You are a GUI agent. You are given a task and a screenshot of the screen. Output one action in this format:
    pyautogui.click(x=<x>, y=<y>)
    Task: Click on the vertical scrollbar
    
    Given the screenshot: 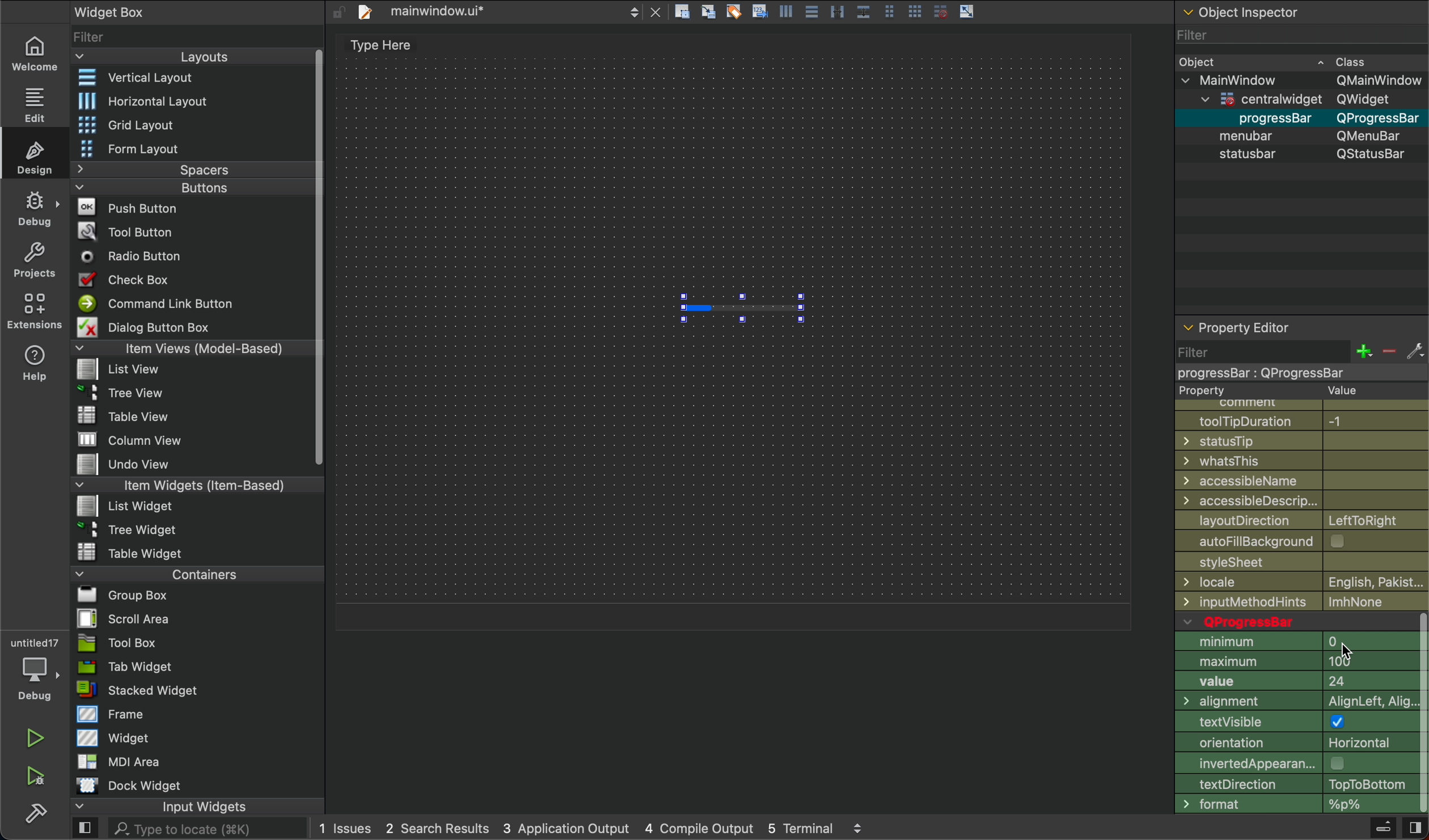 What is the action you would take?
    pyautogui.click(x=1420, y=714)
    